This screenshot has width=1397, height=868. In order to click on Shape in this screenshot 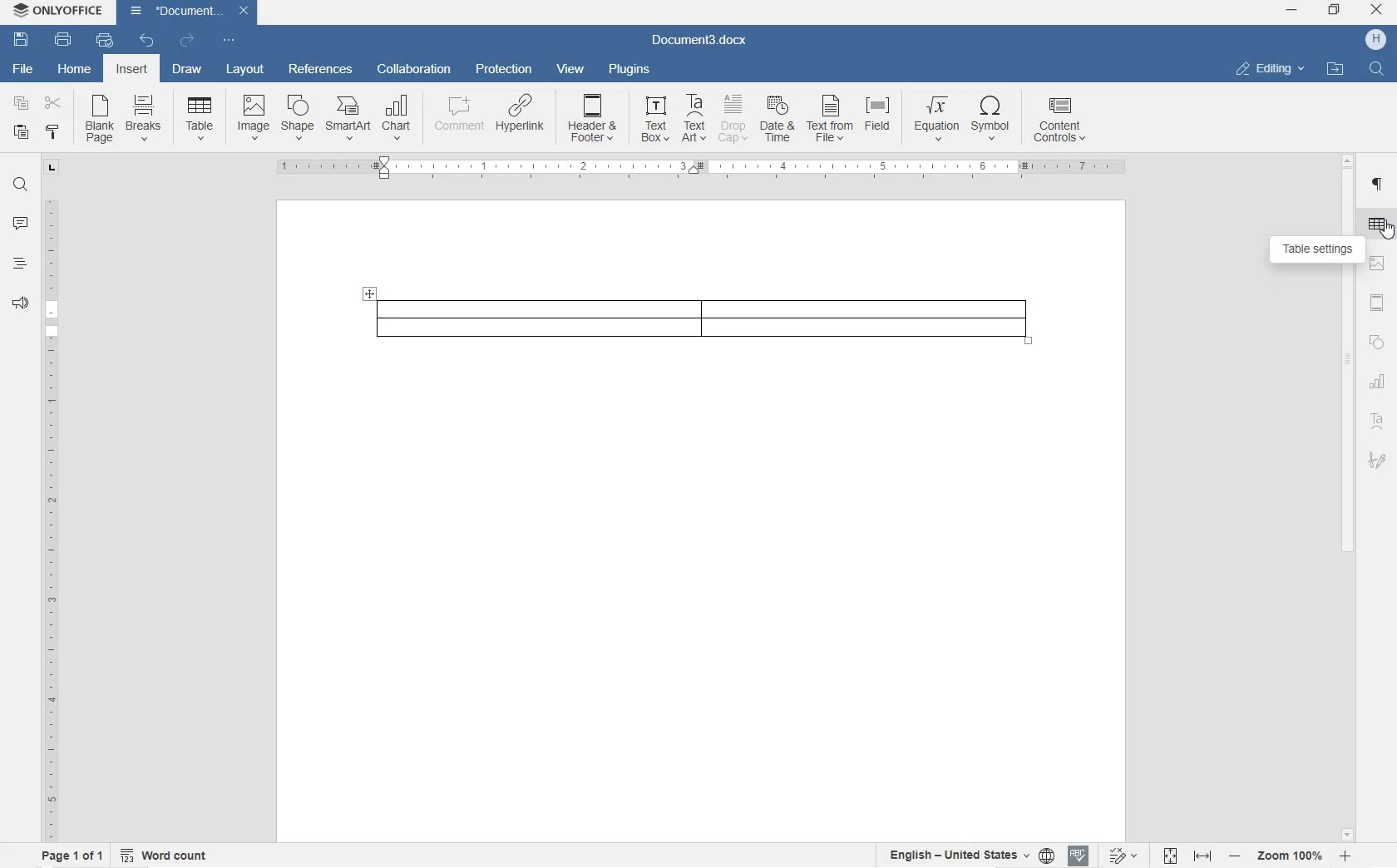, I will do `click(297, 117)`.